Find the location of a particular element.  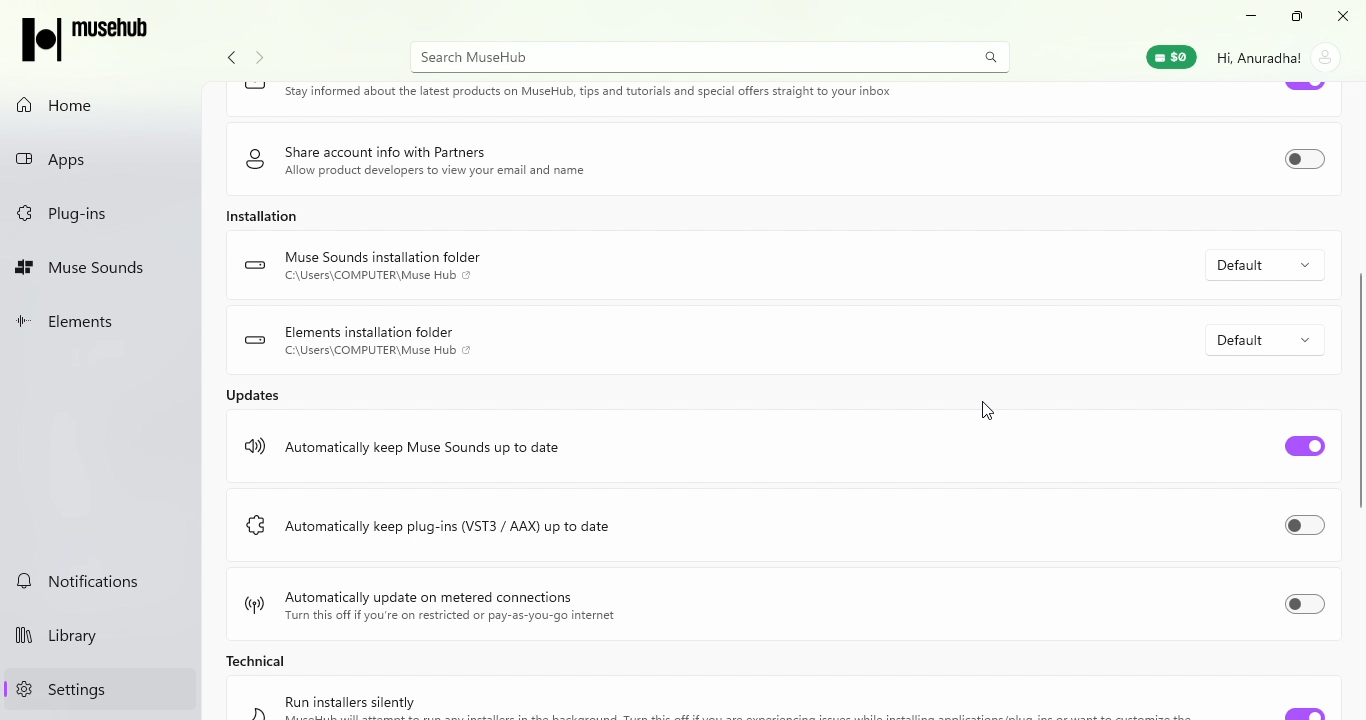

Elements installation folder C:\Users\COMPUTER\Muse Hub  is located at coordinates (379, 341).